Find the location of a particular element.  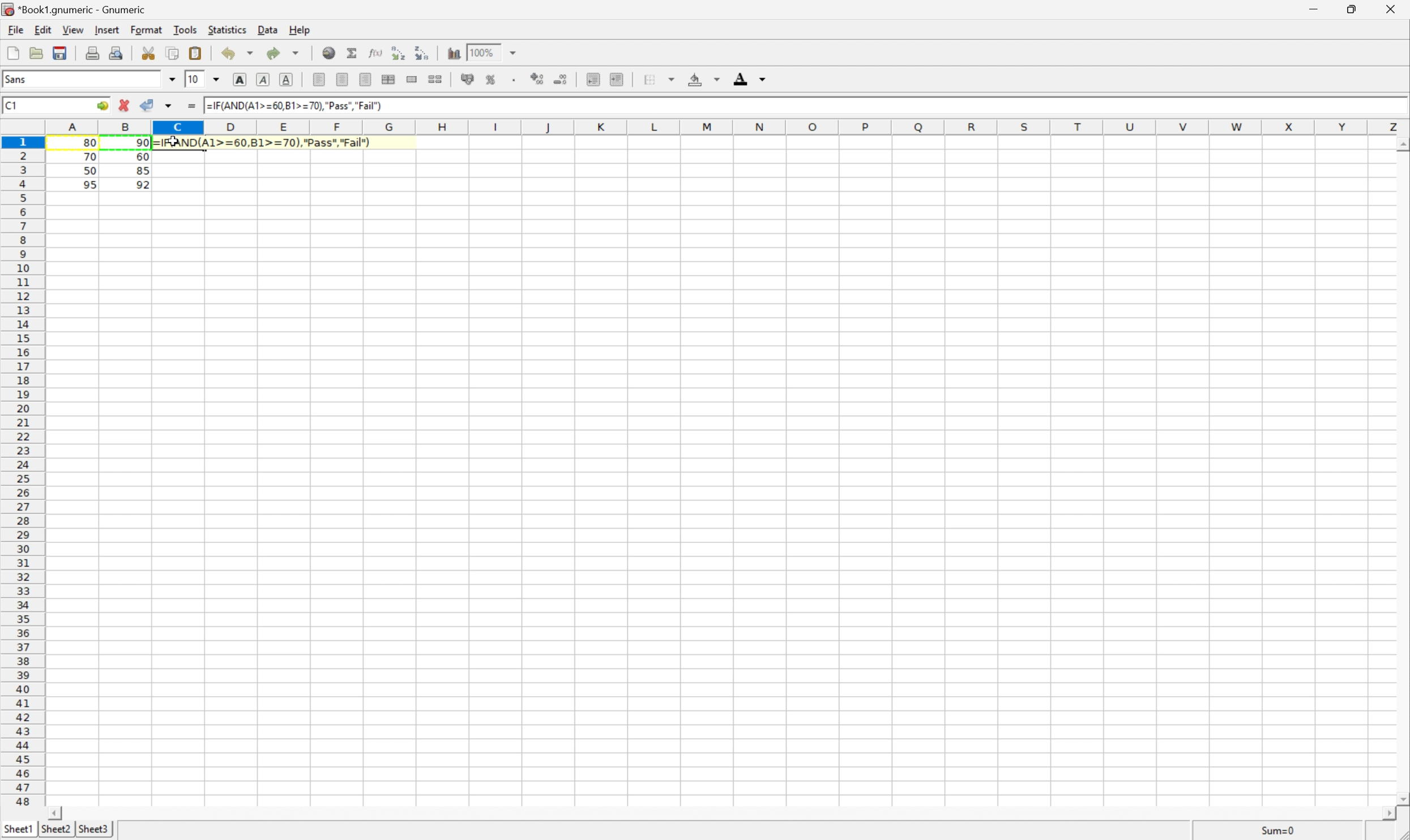

90 is located at coordinates (142, 143).